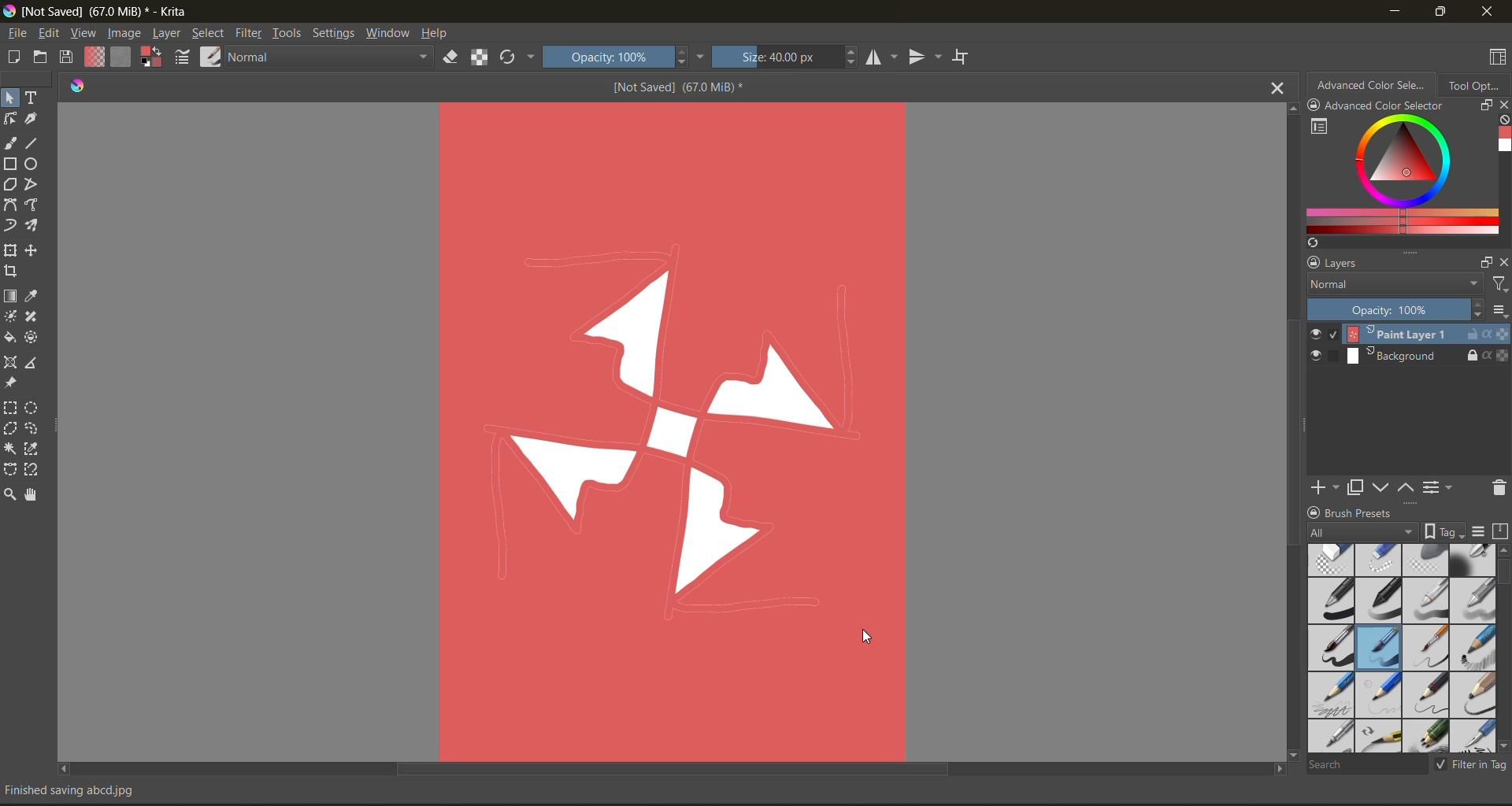 This screenshot has width=1512, height=806. I want to click on lock/unlock docker, so click(1314, 511).